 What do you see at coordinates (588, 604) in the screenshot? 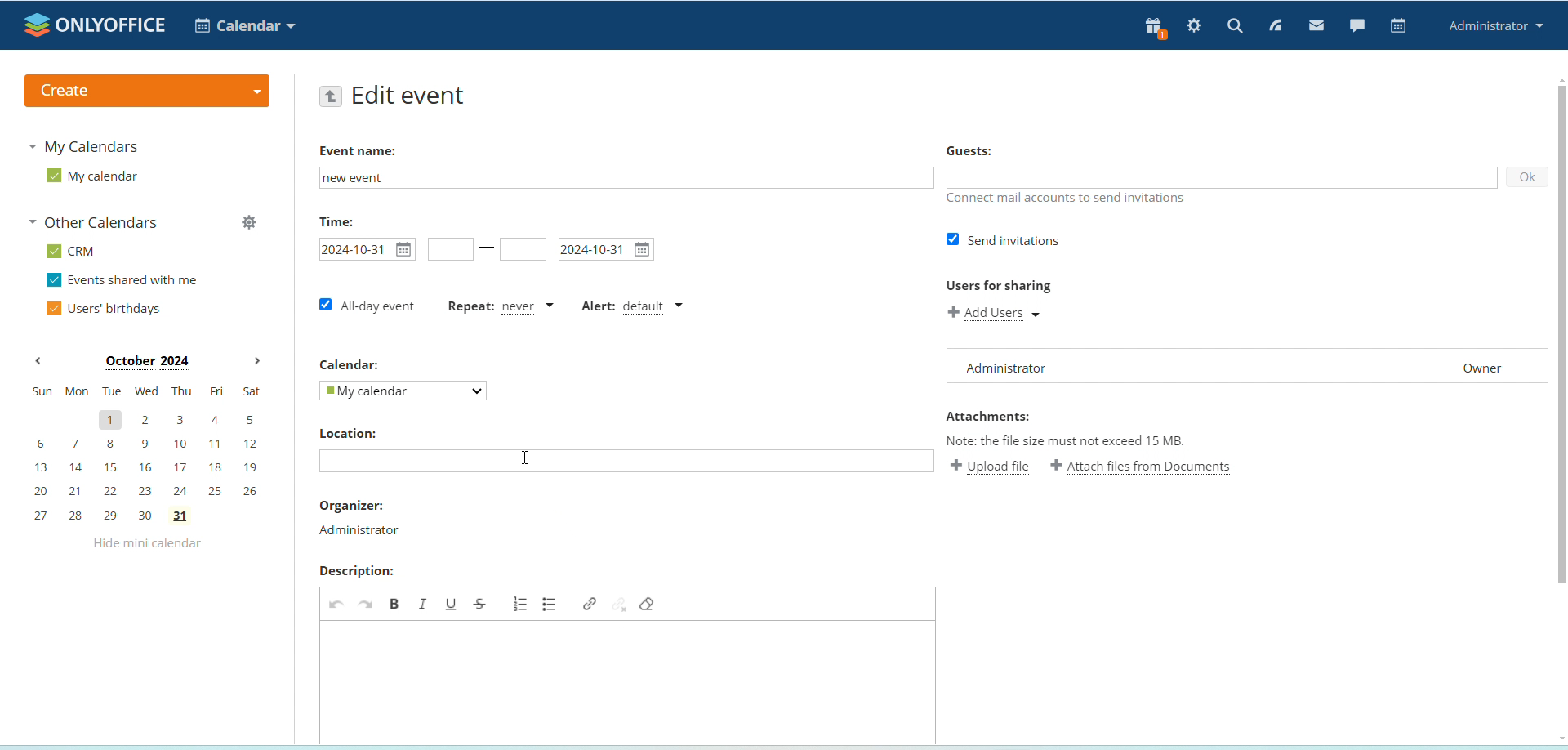
I see `link` at bounding box center [588, 604].